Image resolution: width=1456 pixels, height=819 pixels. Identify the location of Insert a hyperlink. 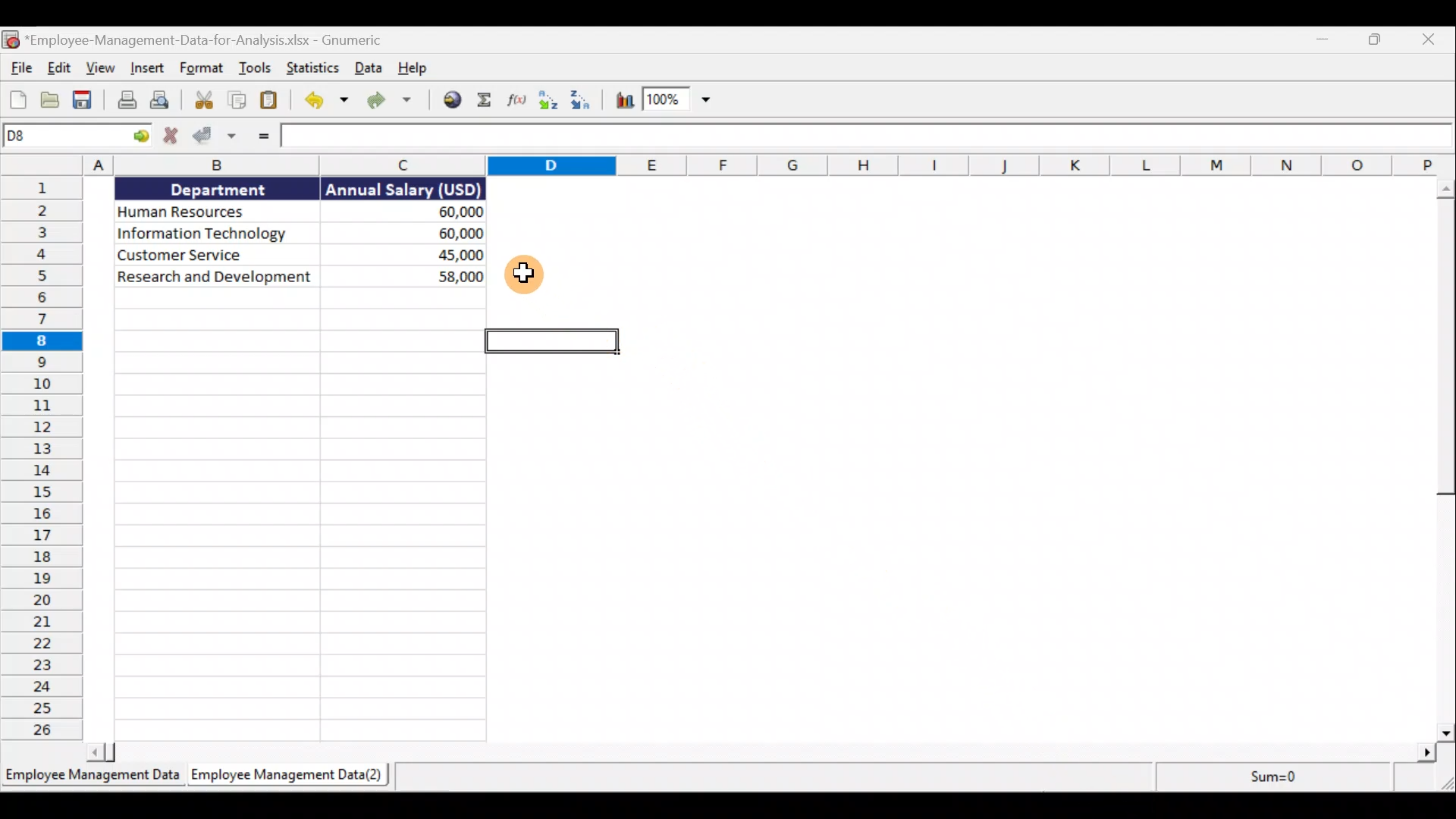
(452, 103).